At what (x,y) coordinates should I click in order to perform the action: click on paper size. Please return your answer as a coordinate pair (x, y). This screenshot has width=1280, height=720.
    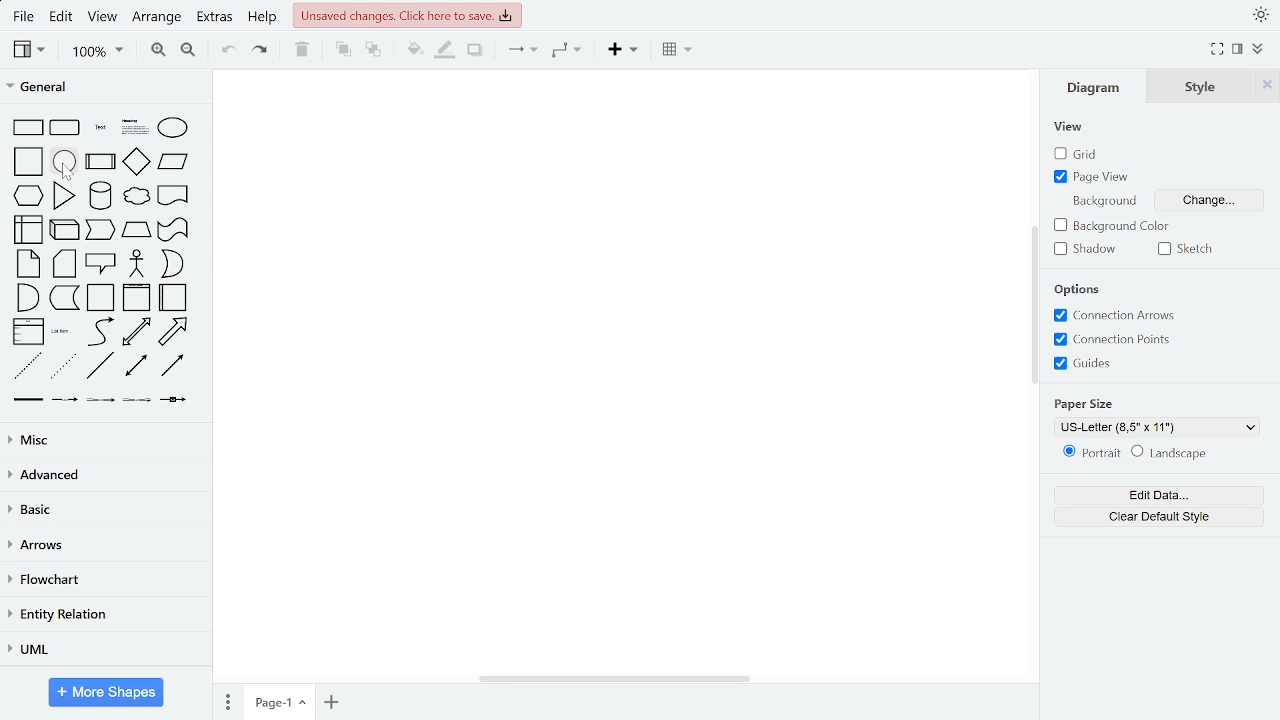
    Looking at the image, I should click on (1092, 403).